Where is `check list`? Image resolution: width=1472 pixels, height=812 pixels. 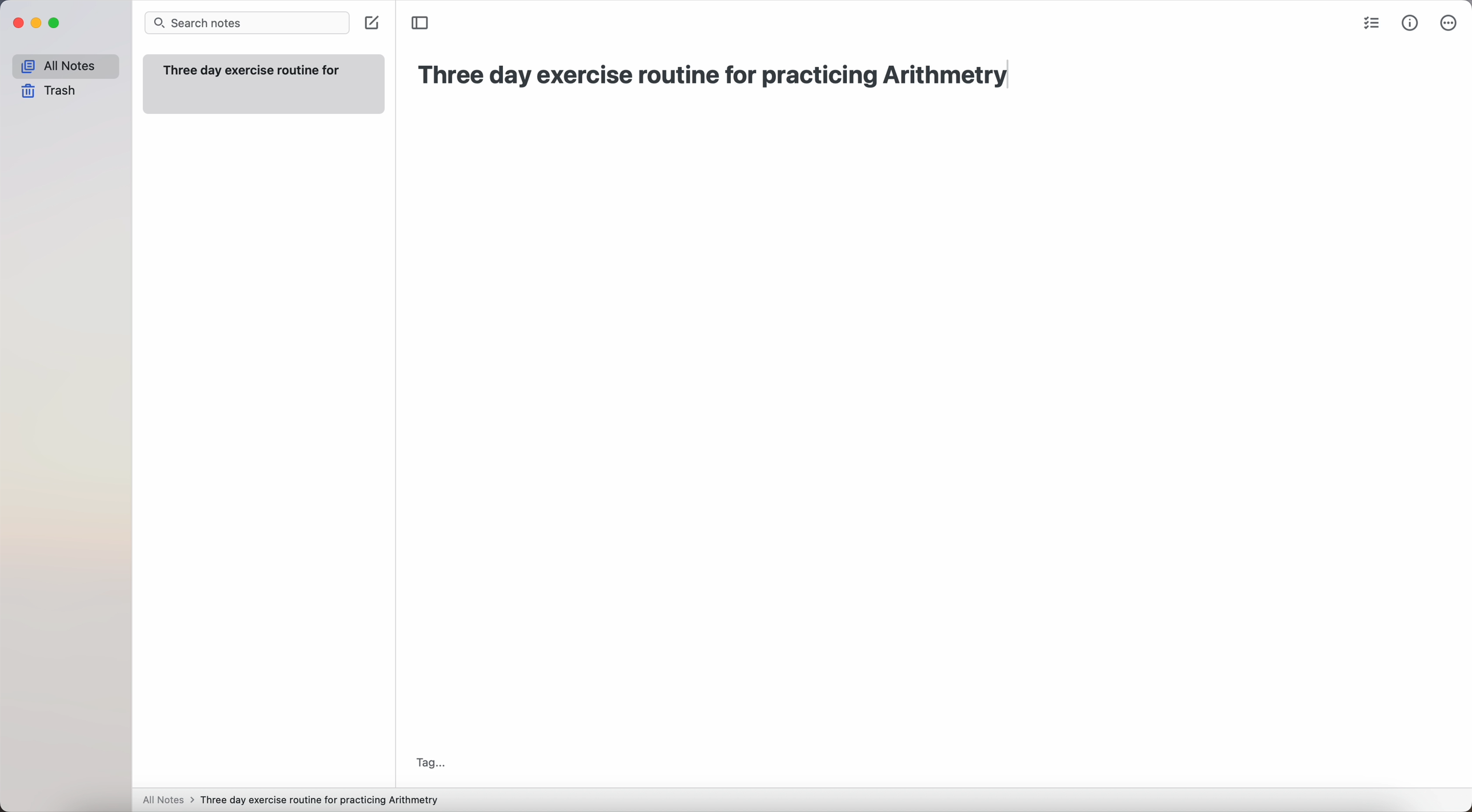 check list is located at coordinates (1370, 24).